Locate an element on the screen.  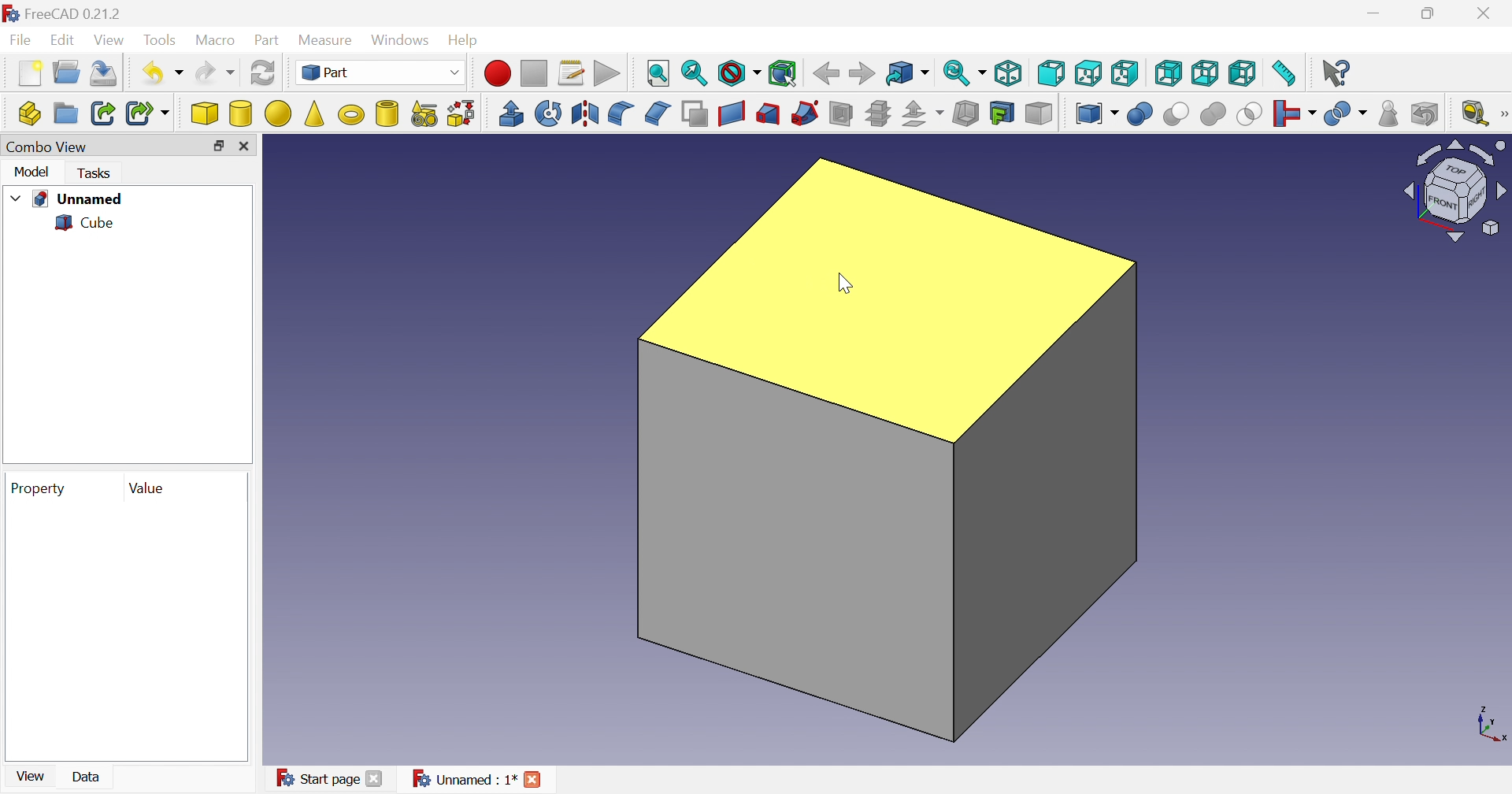
Cube is located at coordinates (203, 113).